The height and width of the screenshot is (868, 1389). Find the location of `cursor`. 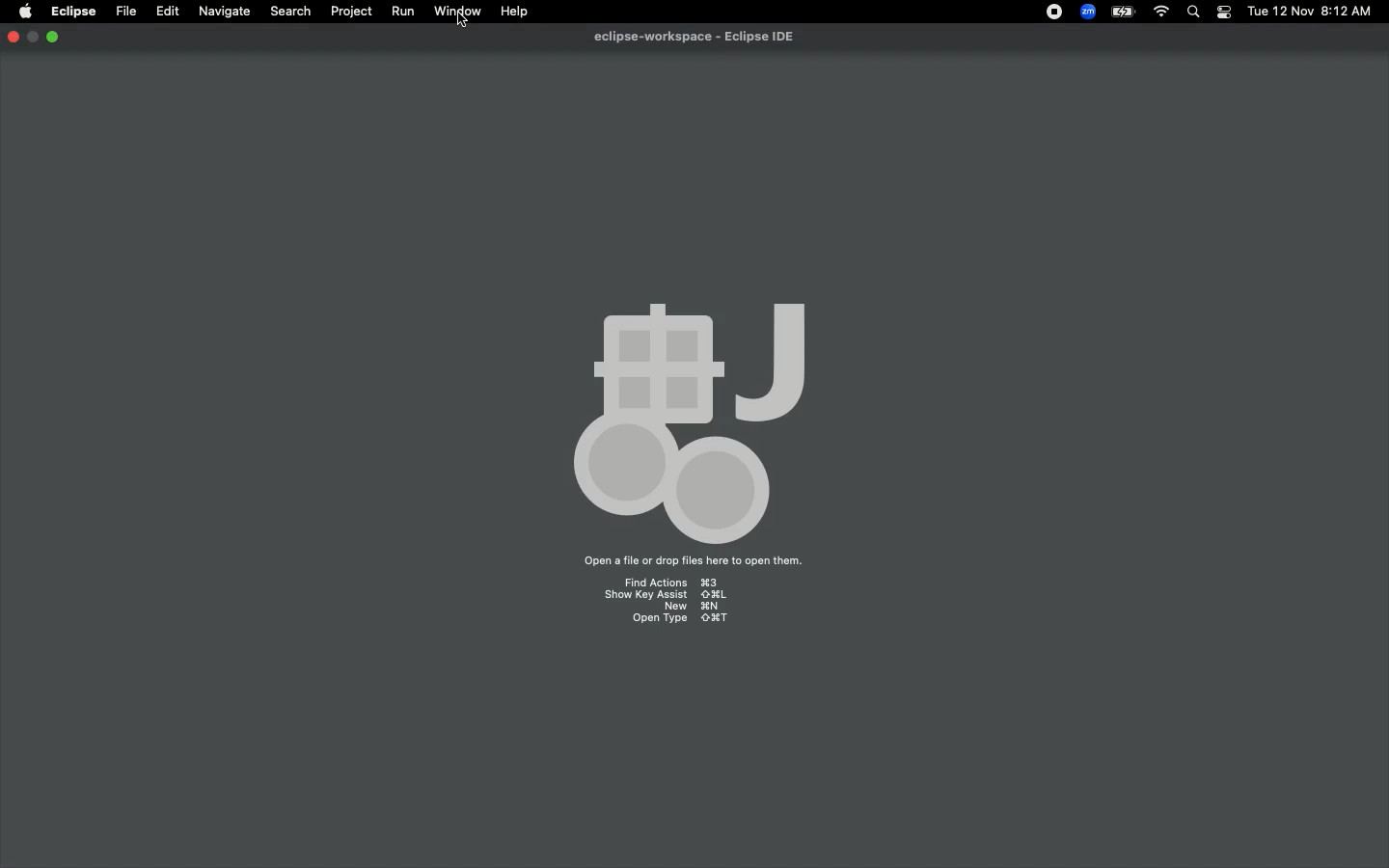

cursor is located at coordinates (460, 21).